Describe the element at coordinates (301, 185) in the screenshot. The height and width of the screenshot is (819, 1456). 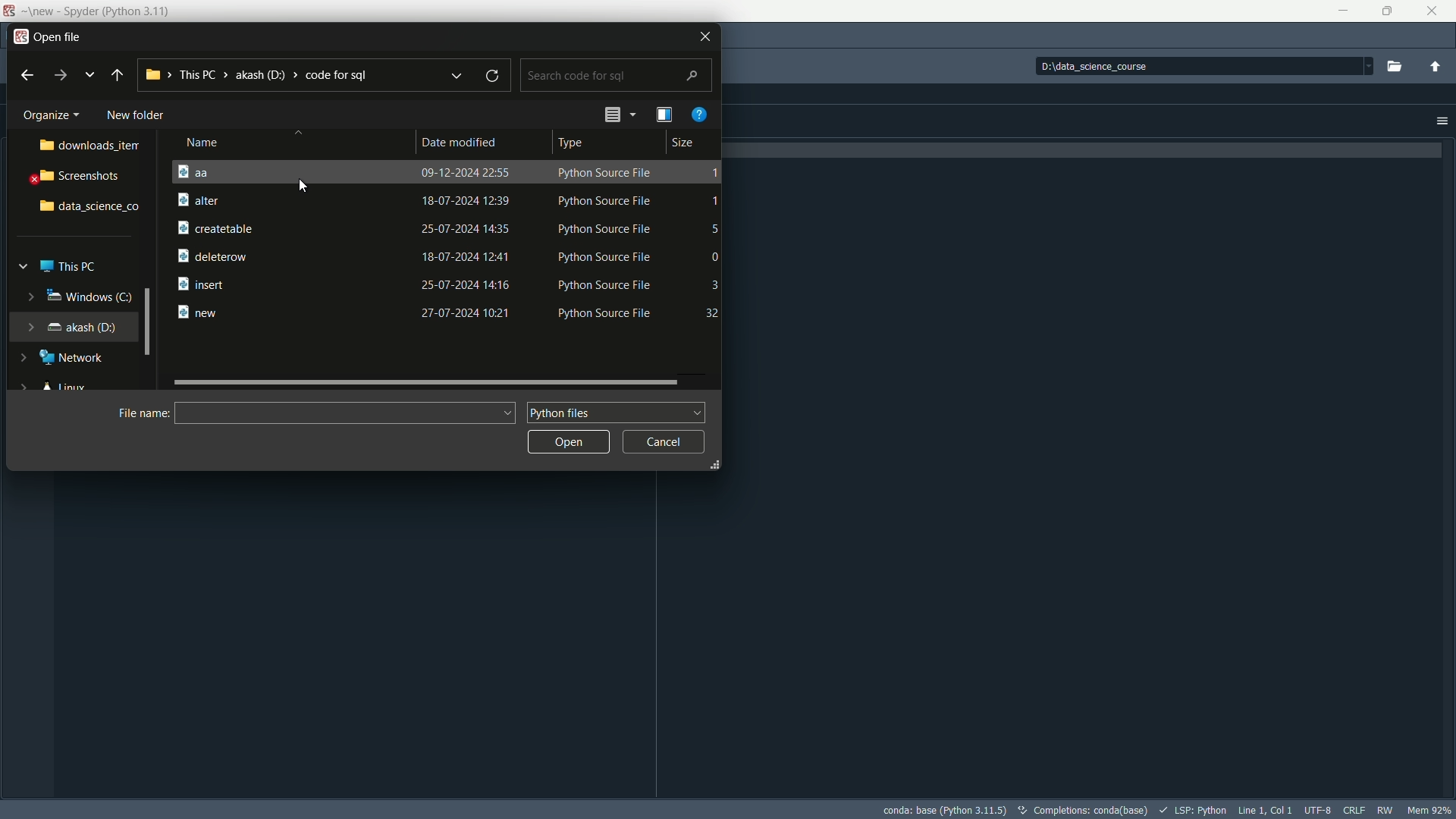
I see `Cursor` at that location.